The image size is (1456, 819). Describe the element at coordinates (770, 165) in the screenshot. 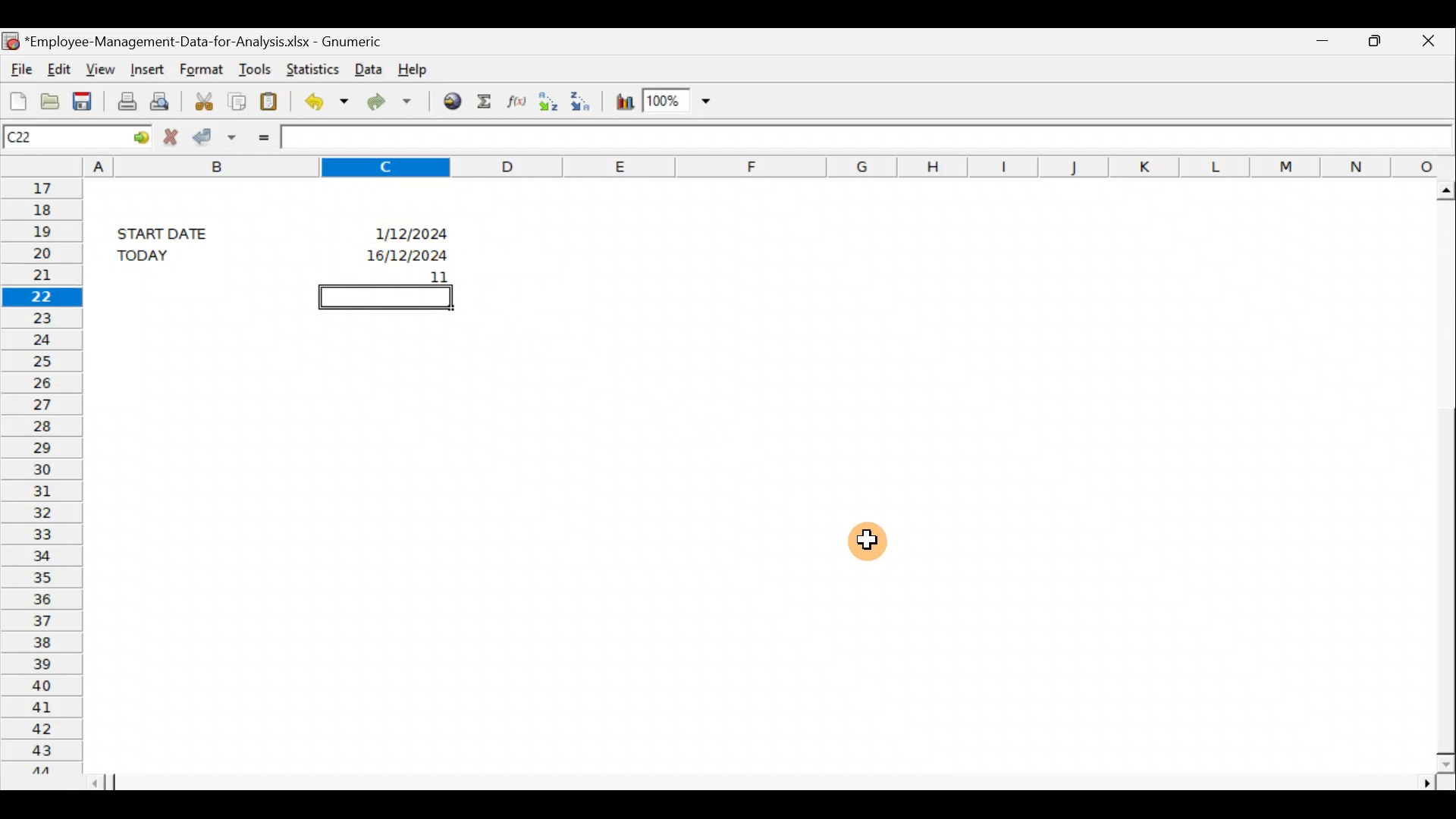

I see `Columns` at that location.